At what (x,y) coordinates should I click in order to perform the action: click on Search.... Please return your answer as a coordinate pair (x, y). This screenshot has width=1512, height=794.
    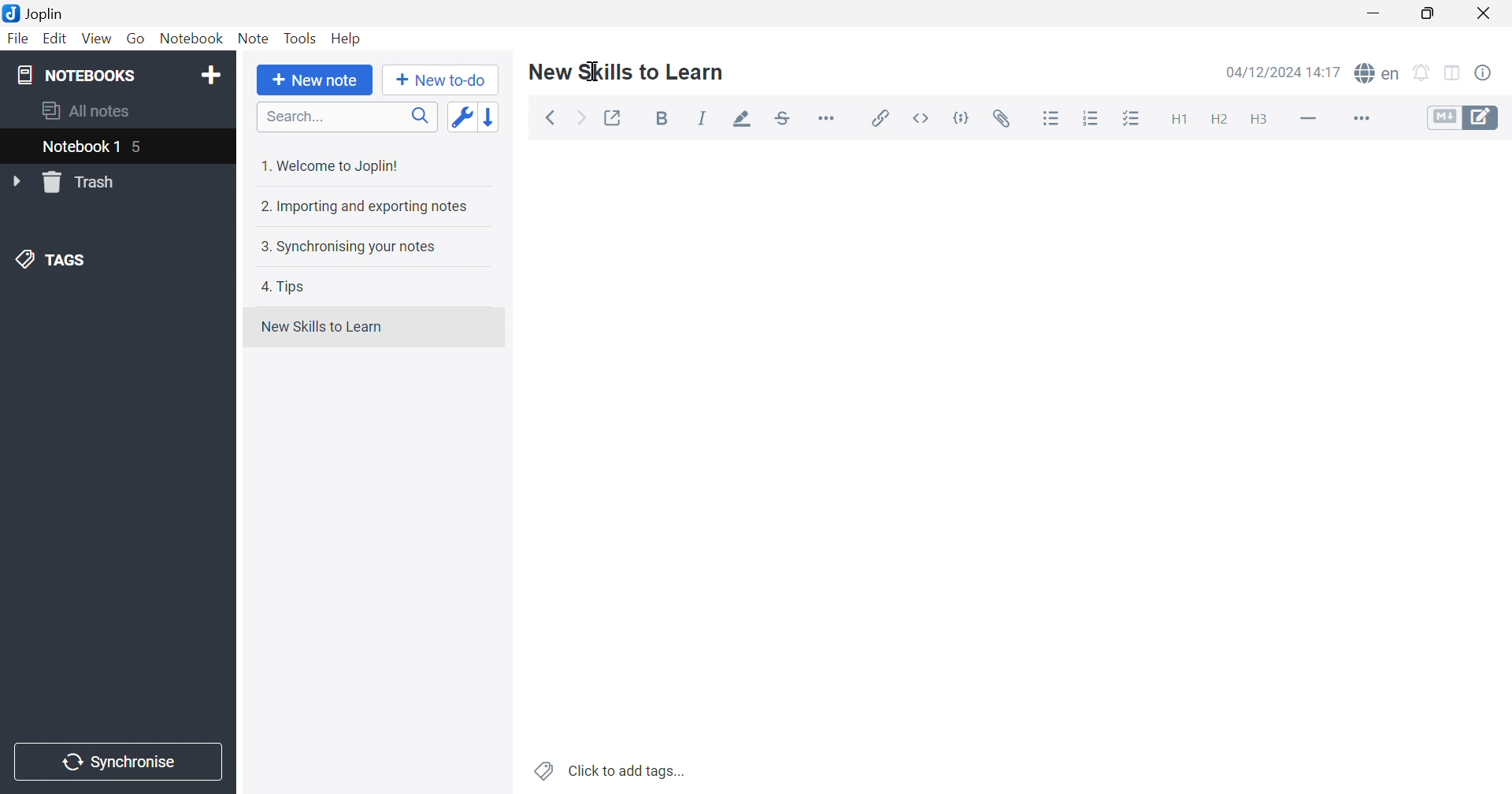
    Looking at the image, I should click on (347, 117).